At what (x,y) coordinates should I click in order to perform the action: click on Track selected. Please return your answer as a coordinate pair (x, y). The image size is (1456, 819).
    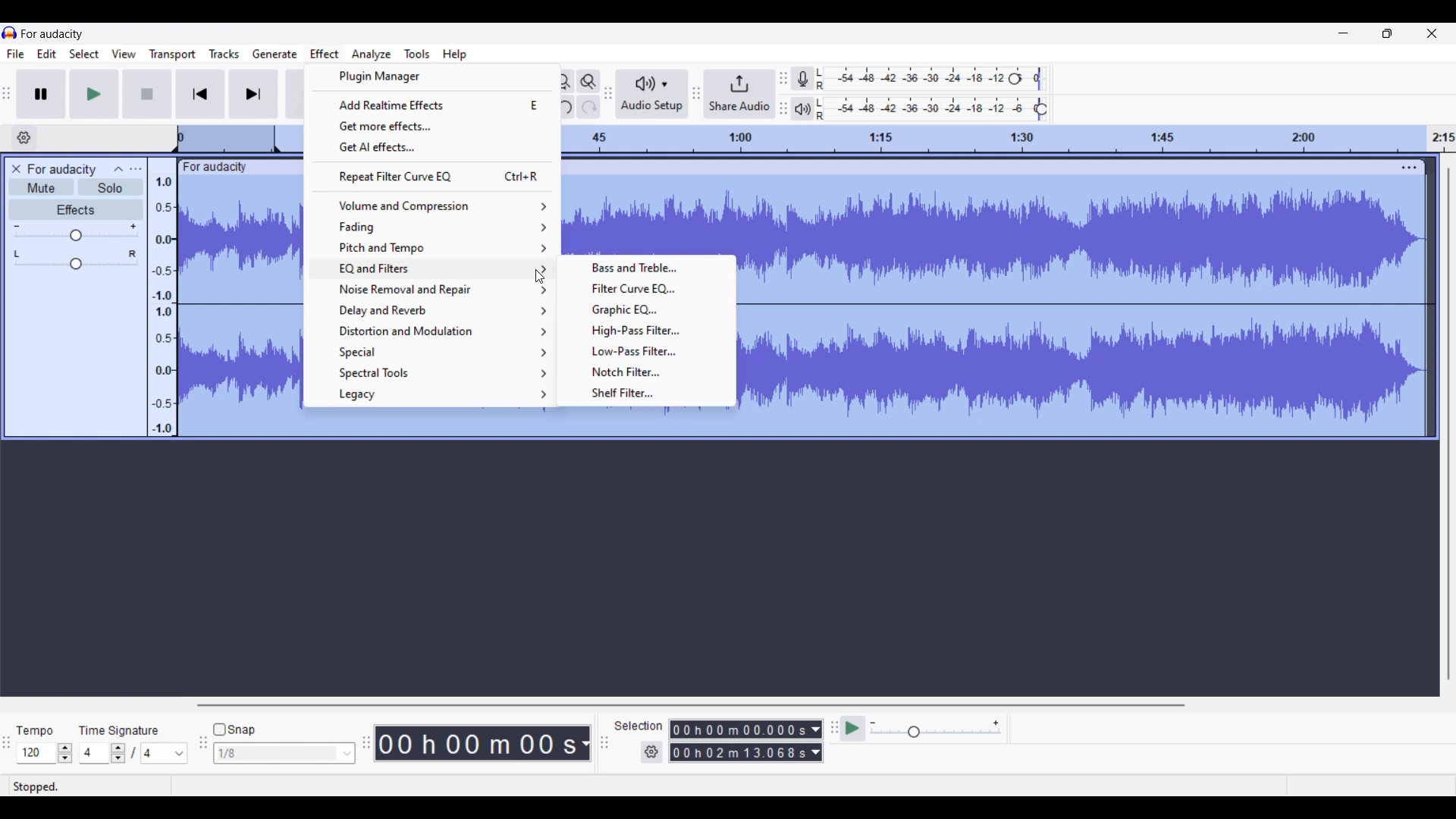
    Looking at the image, I should click on (1088, 308).